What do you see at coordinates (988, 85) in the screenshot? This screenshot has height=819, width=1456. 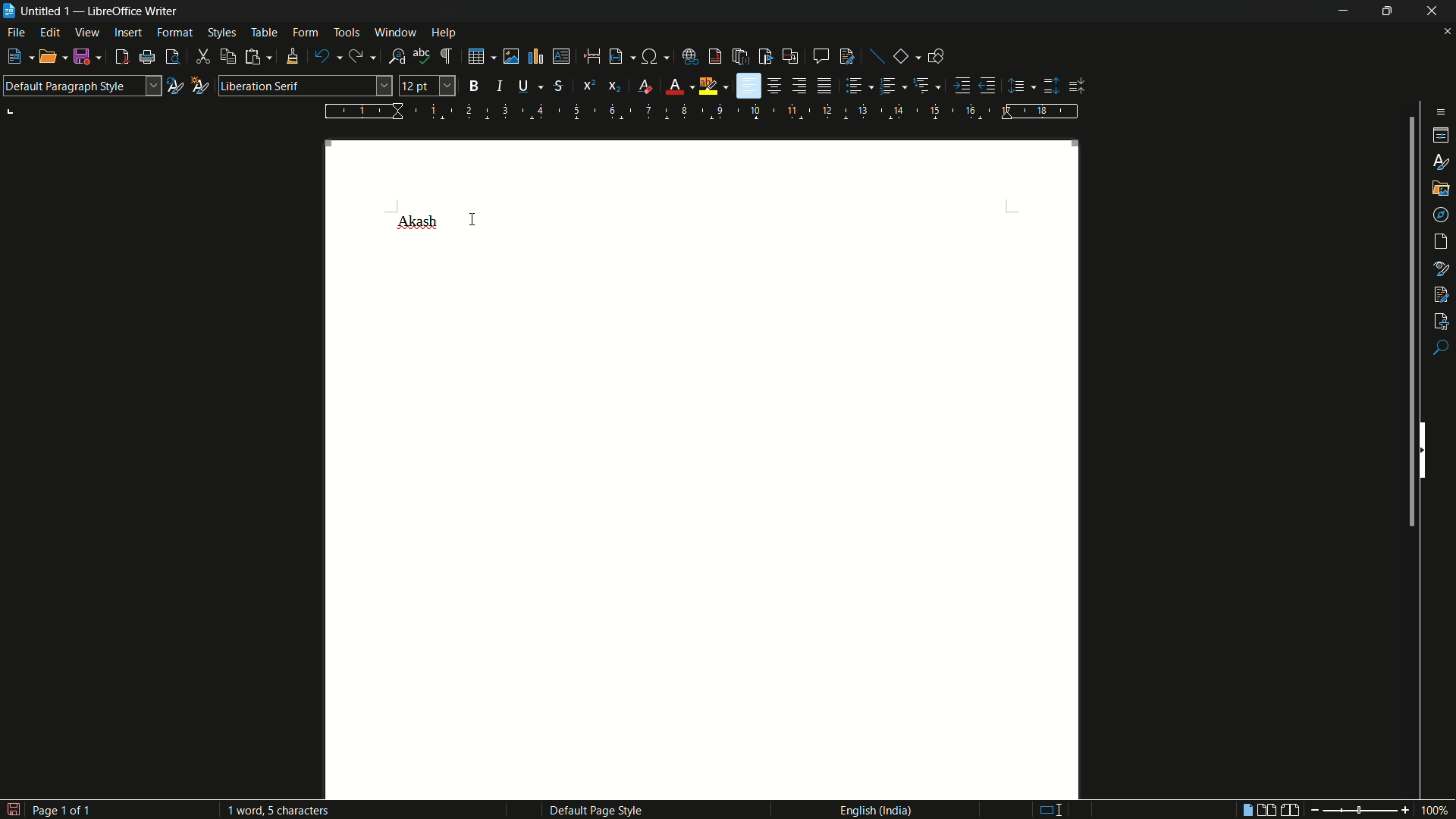 I see `decrease indentation` at bounding box center [988, 85].